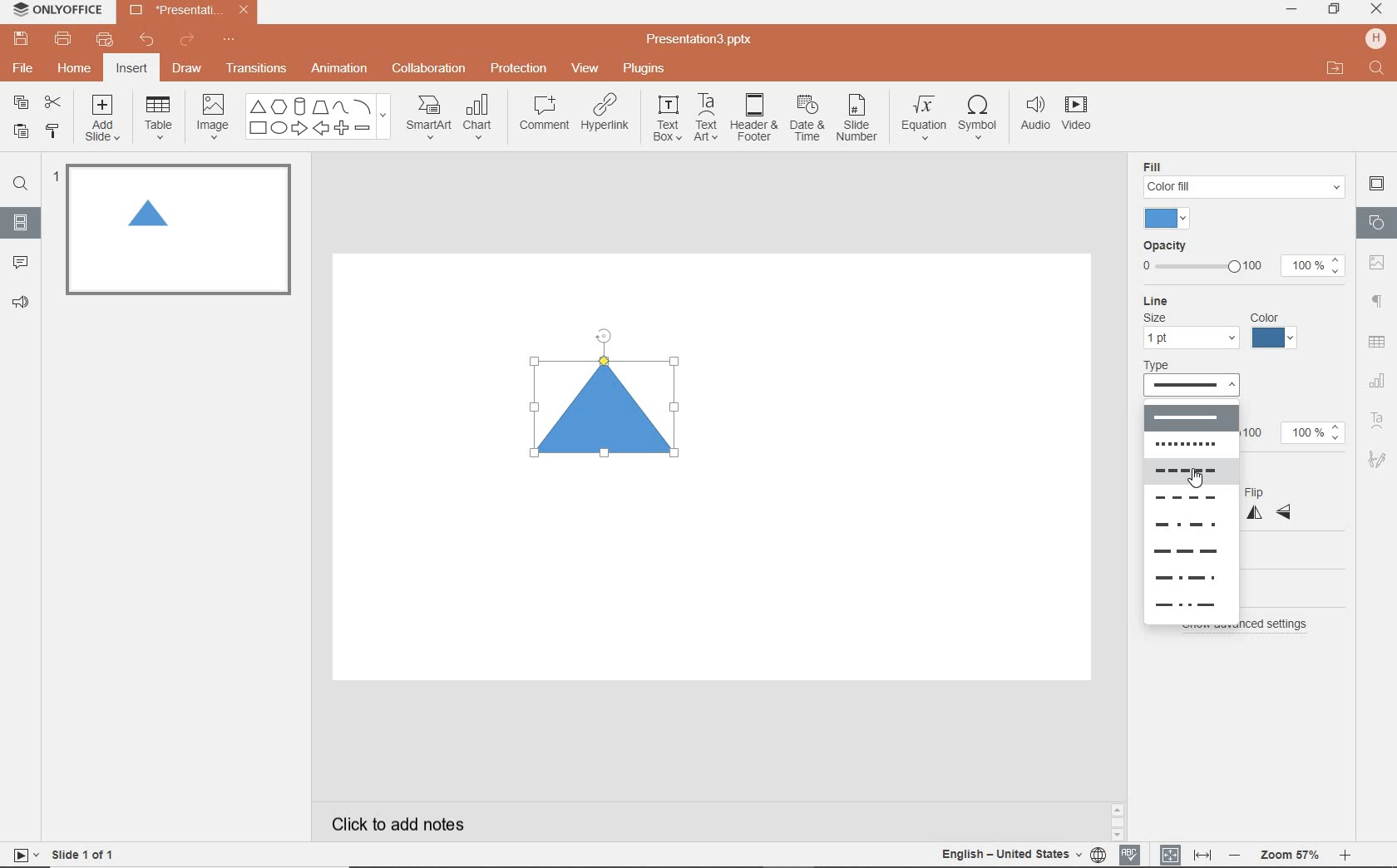 The image size is (1397, 868). I want to click on Line settings, so click(1220, 323).